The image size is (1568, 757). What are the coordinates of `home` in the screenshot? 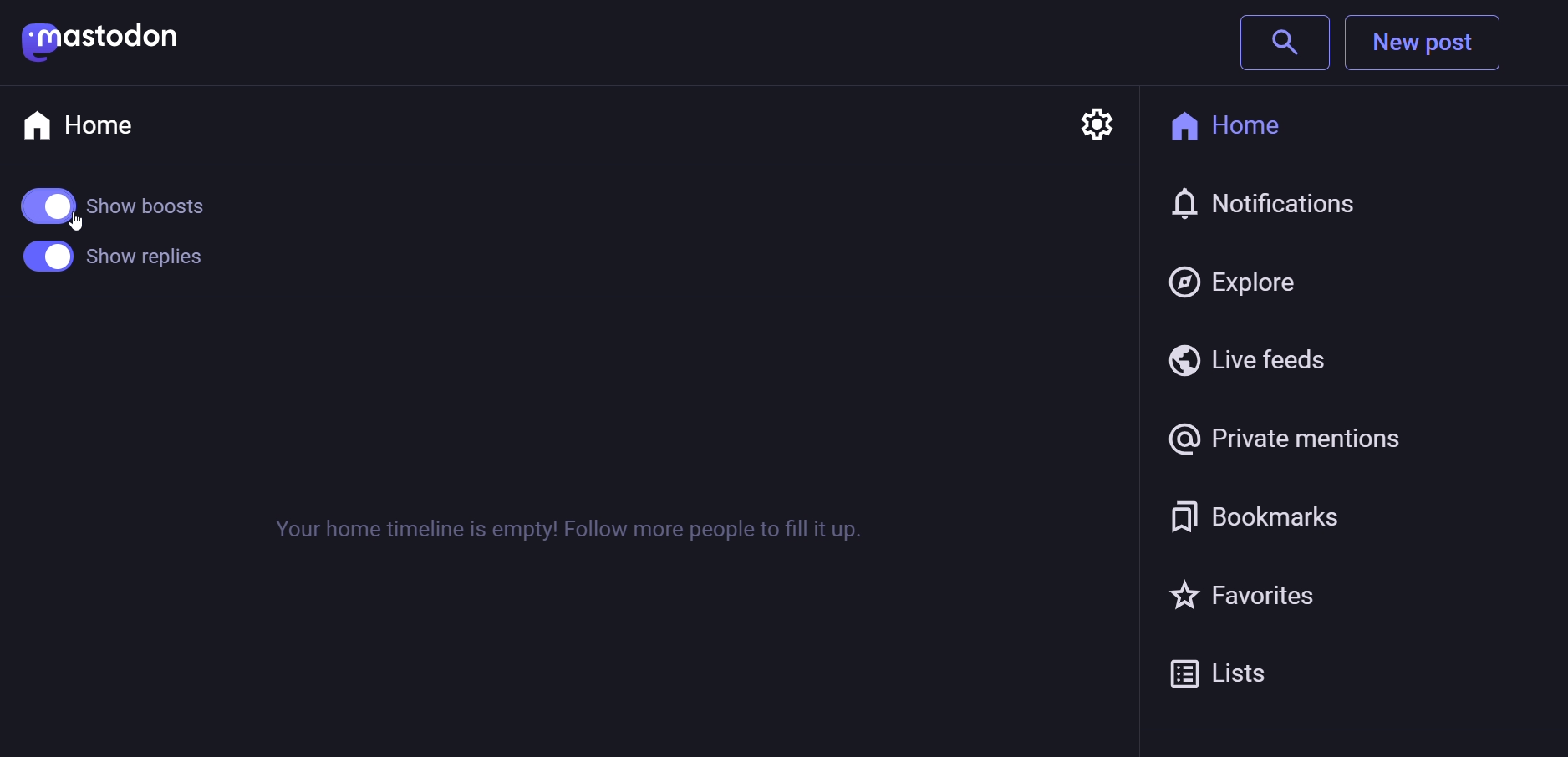 It's located at (1246, 124).